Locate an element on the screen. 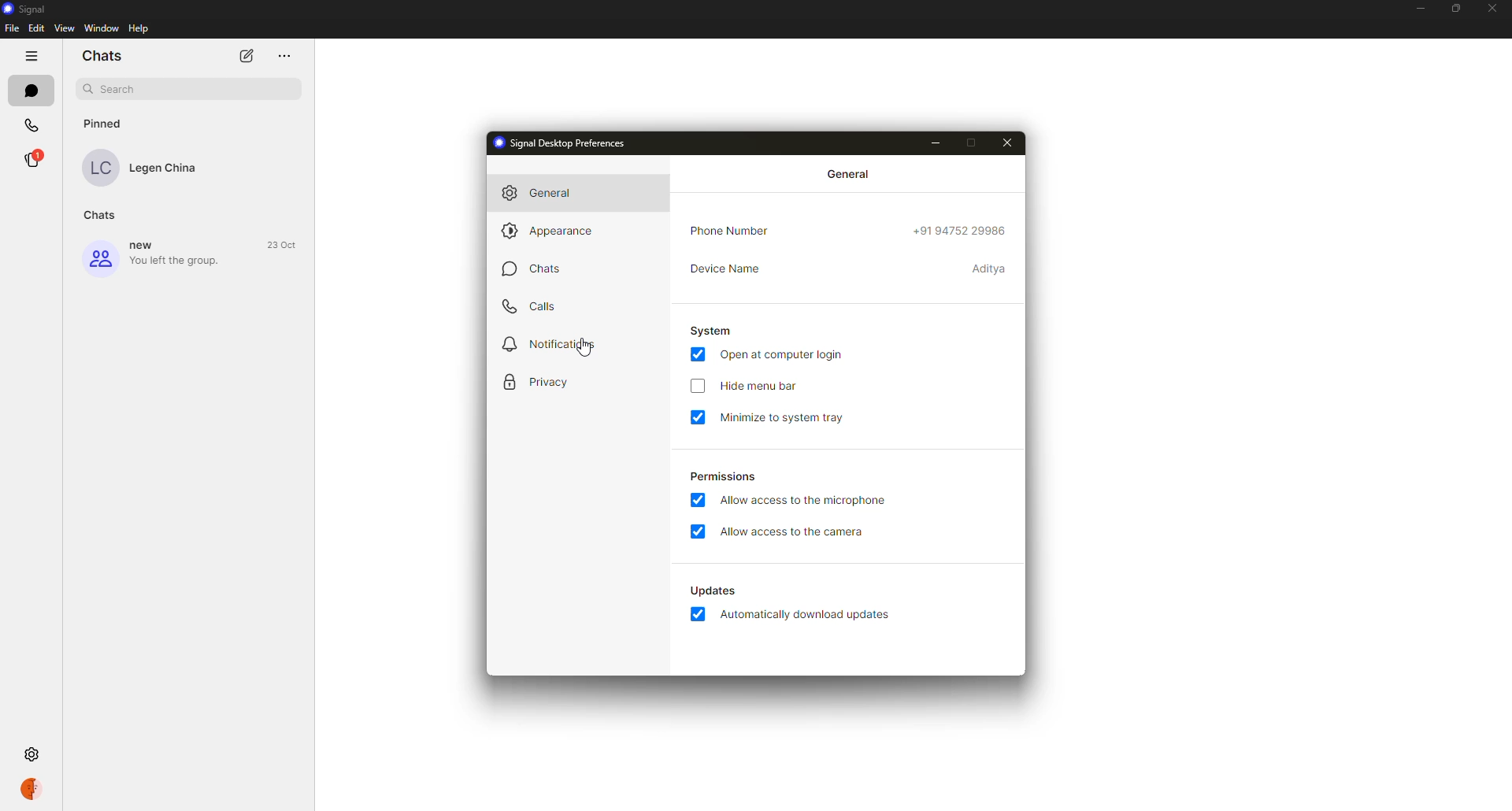  You left the group. is located at coordinates (176, 261).